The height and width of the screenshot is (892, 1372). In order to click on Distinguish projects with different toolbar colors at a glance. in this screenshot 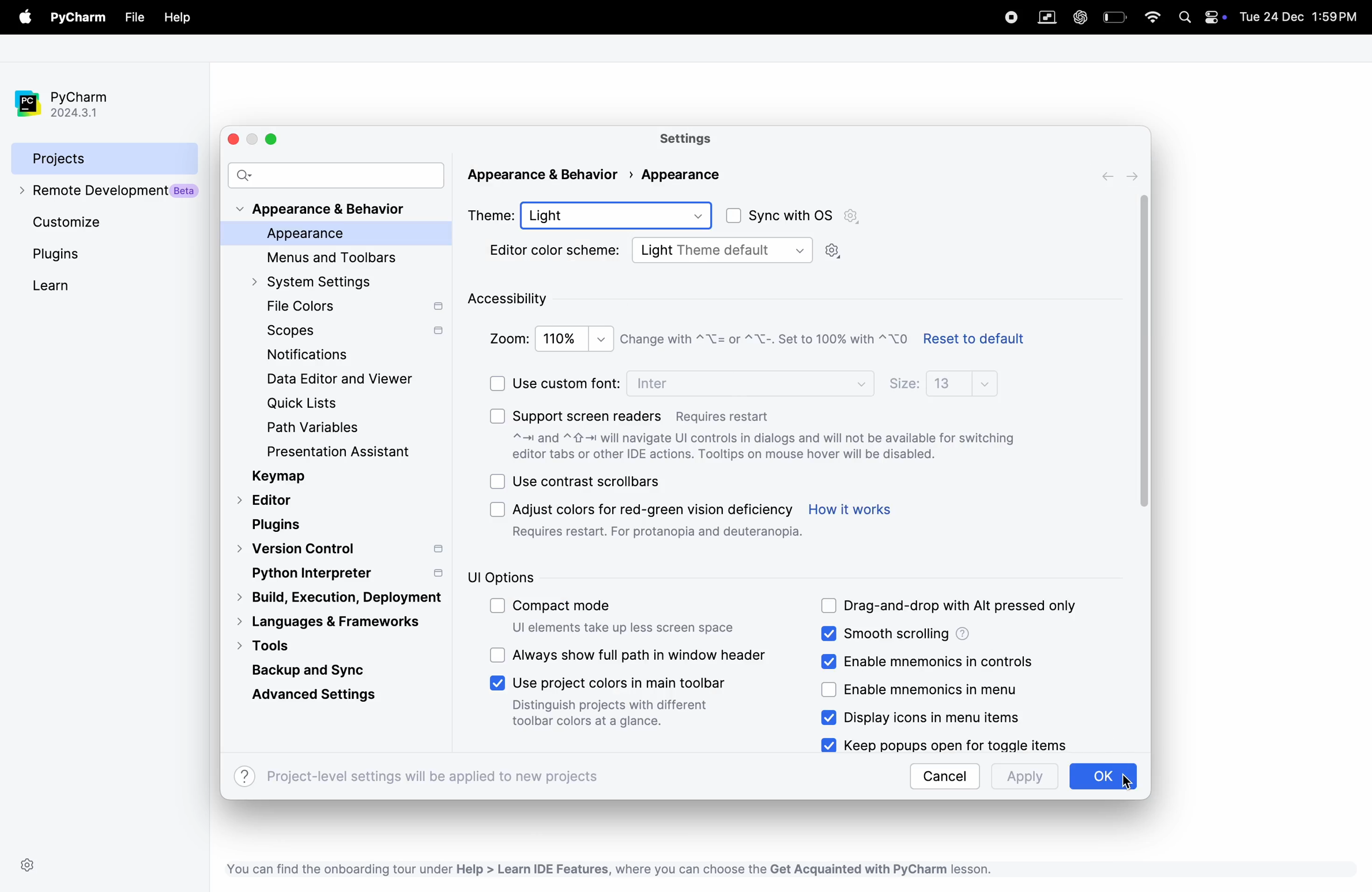, I will do `click(606, 716)`.